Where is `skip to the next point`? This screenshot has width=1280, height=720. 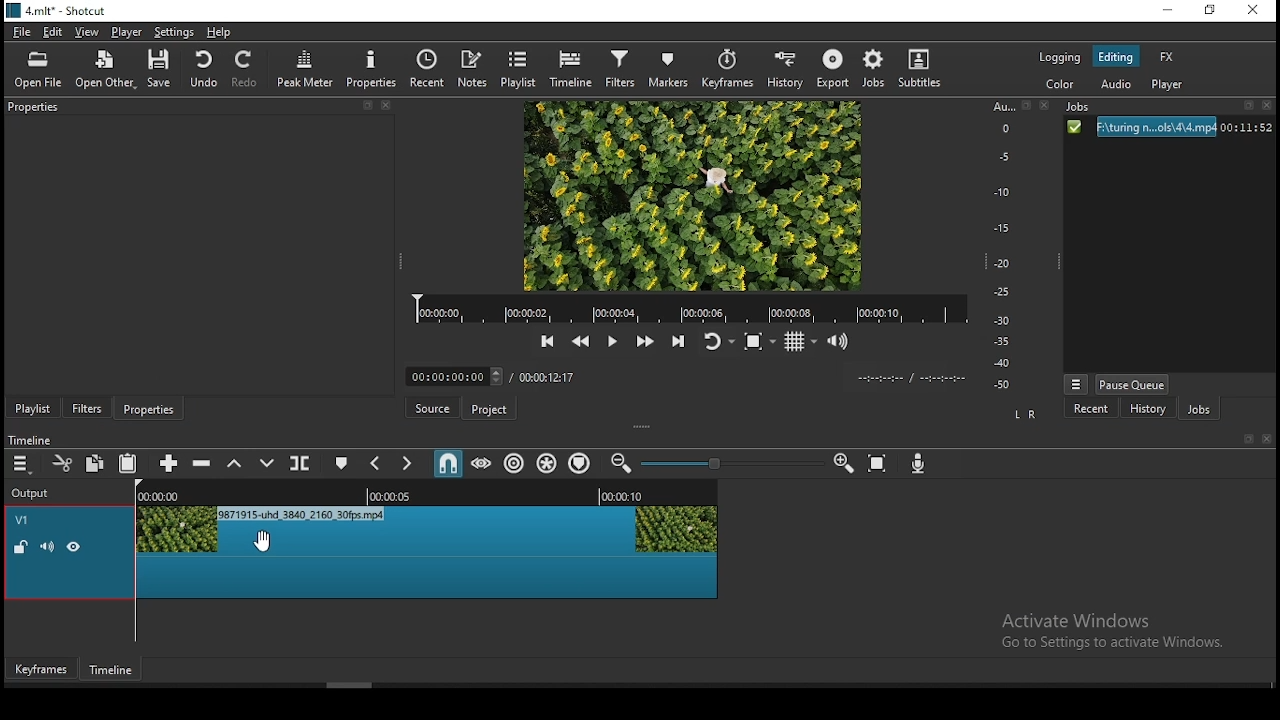
skip to the next point is located at coordinates (678, 343).